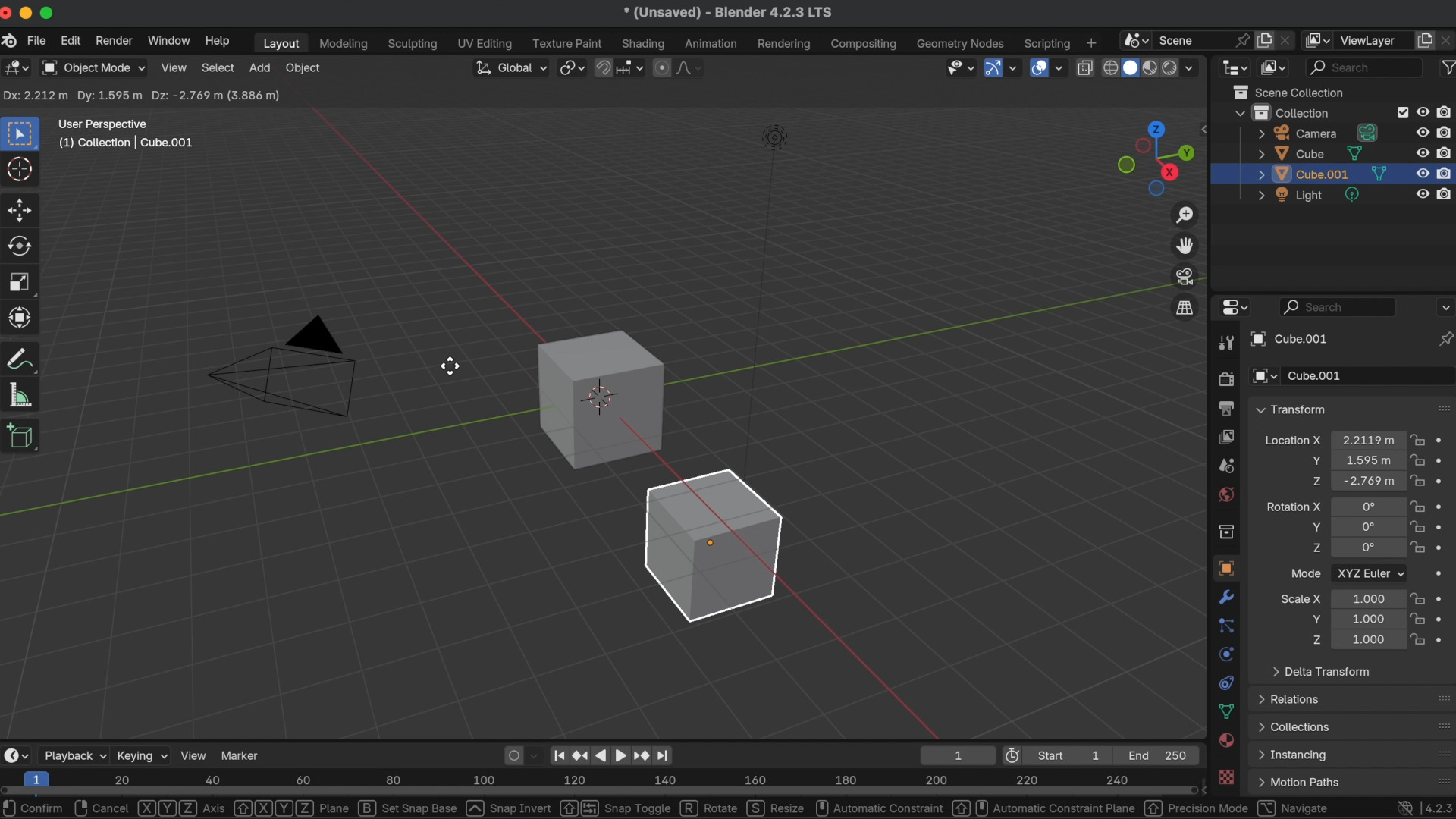 The height and width of the screenshot is (819, 1456). Describe the element at coordinates (1295, 726) in the screenshot. I see `collections` at that location.